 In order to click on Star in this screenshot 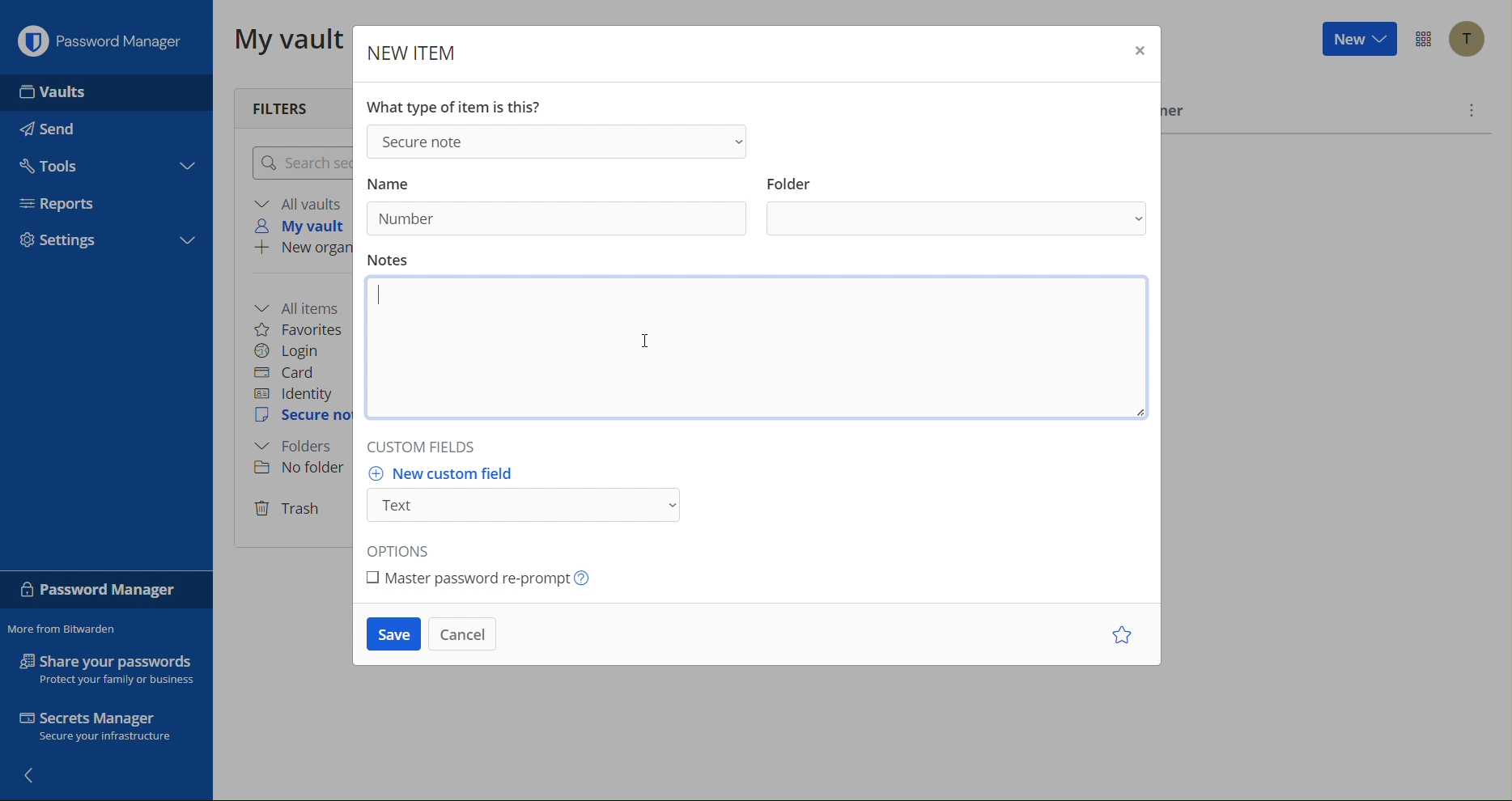, I will do `click(1119, 636)`.